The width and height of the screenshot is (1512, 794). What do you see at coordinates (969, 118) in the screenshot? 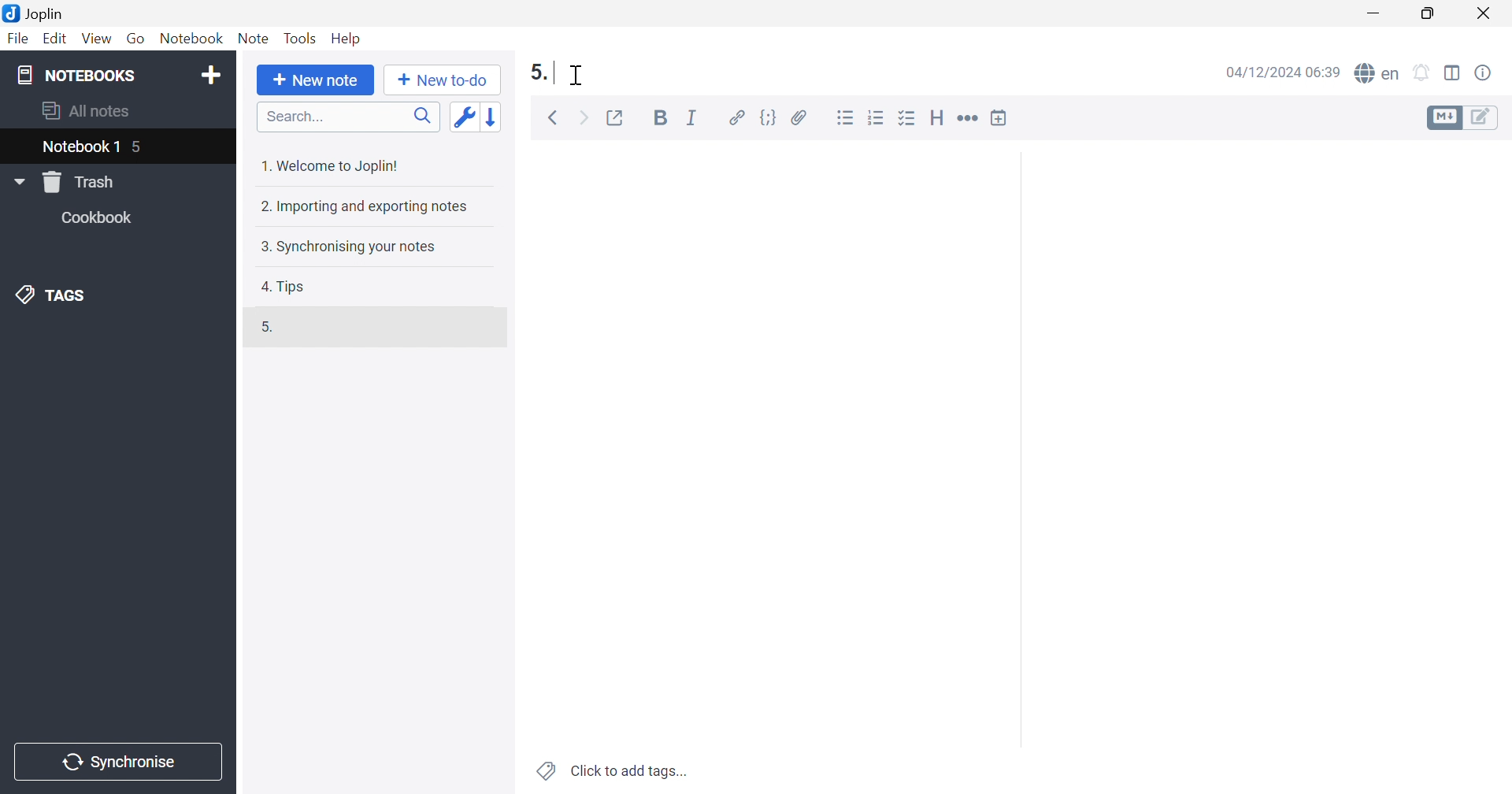
I see `Horizontal rule` at bounding box center [969, 118].